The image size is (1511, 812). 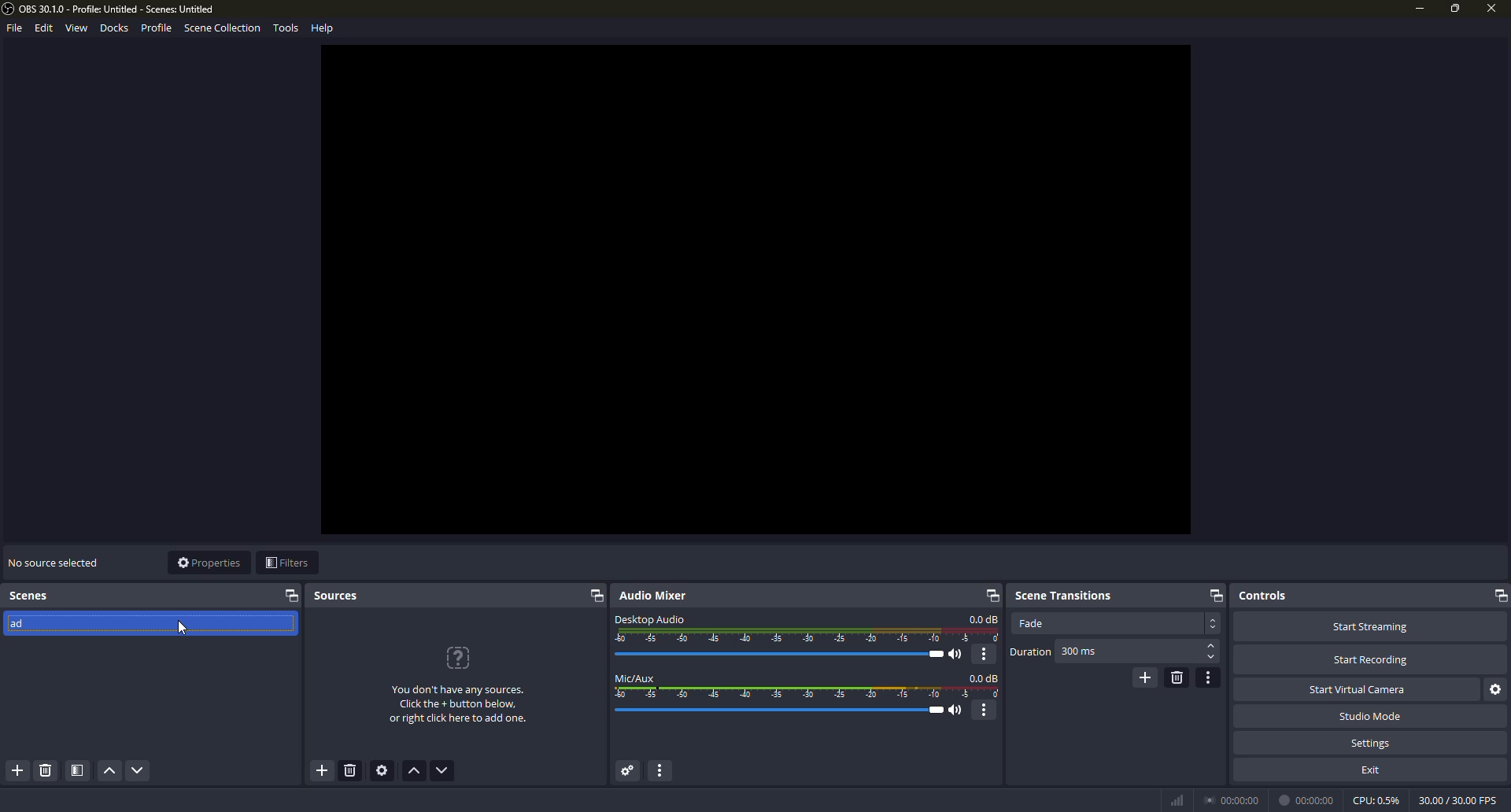 I want to click on duration, so click(x=1030, y=652).